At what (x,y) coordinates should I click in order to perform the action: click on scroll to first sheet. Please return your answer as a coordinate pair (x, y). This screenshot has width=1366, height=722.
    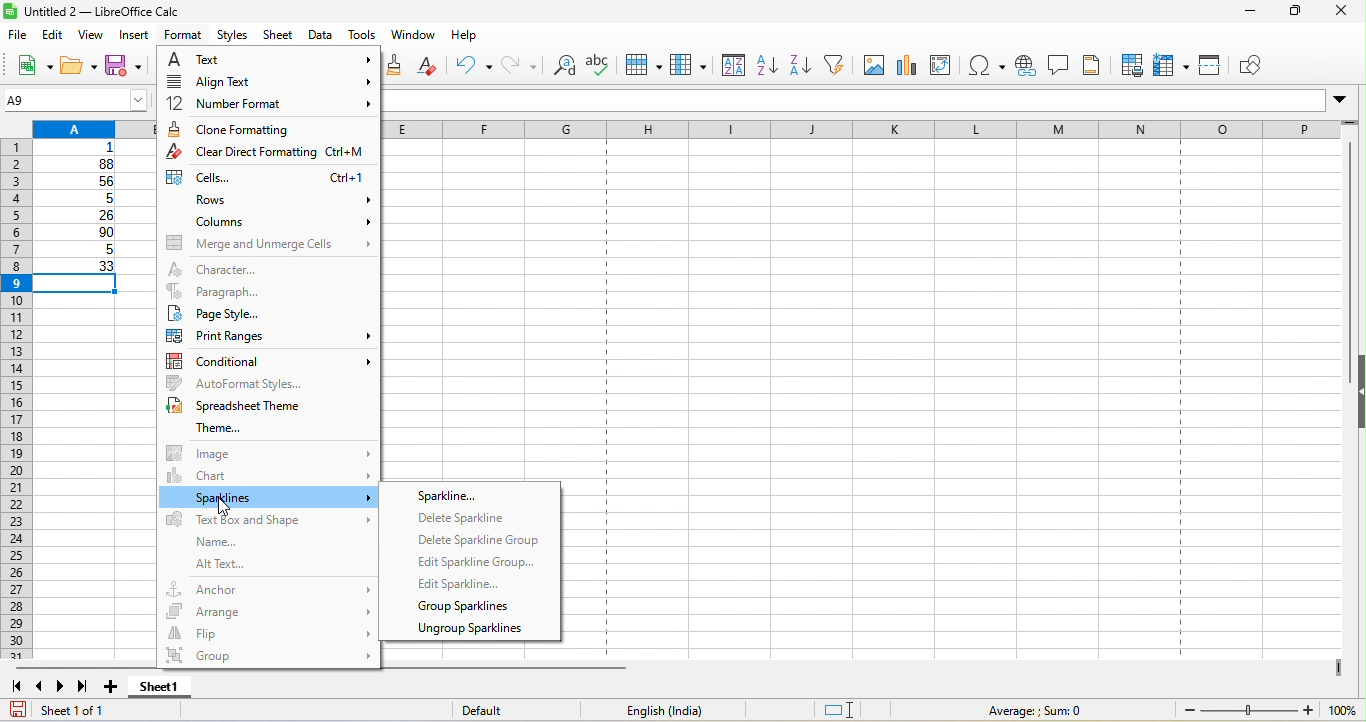
    Looking at the image, I should click on (16, 687).